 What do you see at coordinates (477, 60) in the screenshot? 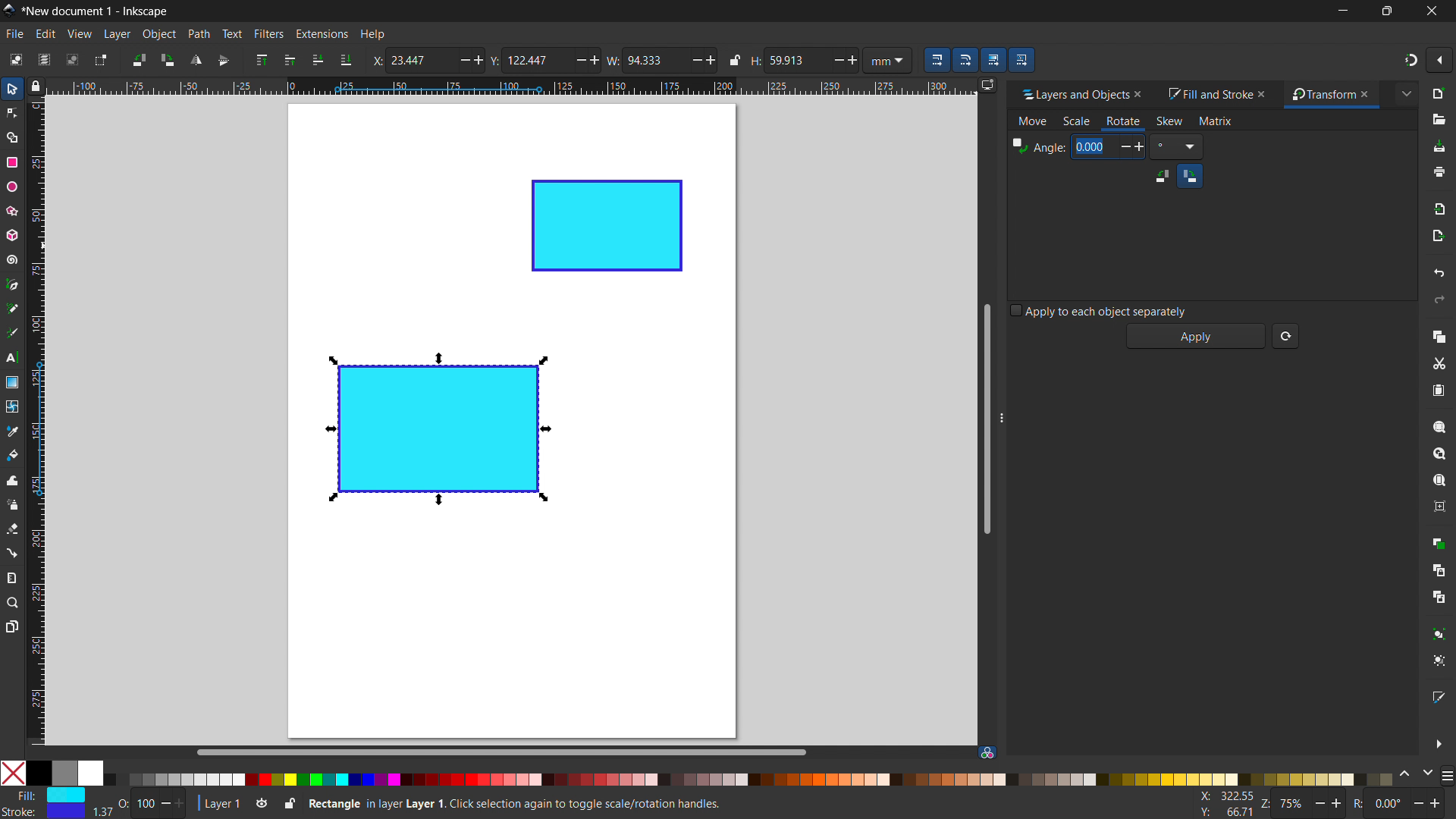
I see `Add/ increase` at bounding box center [477, 60].